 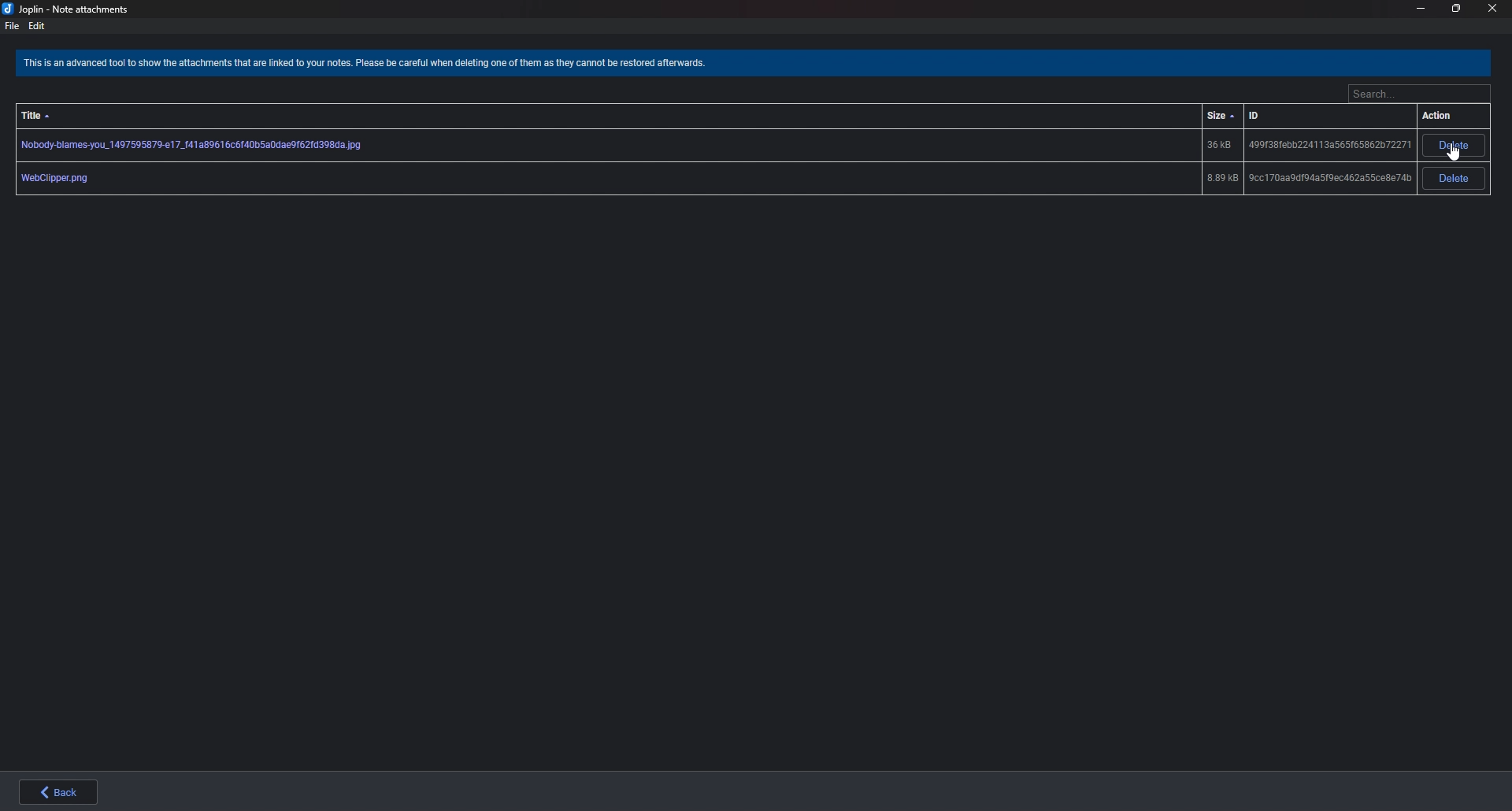 What do you see at coordinates (1453, 152) in the screenshot?
I see `cursor` at bounding box center [1453, 152].